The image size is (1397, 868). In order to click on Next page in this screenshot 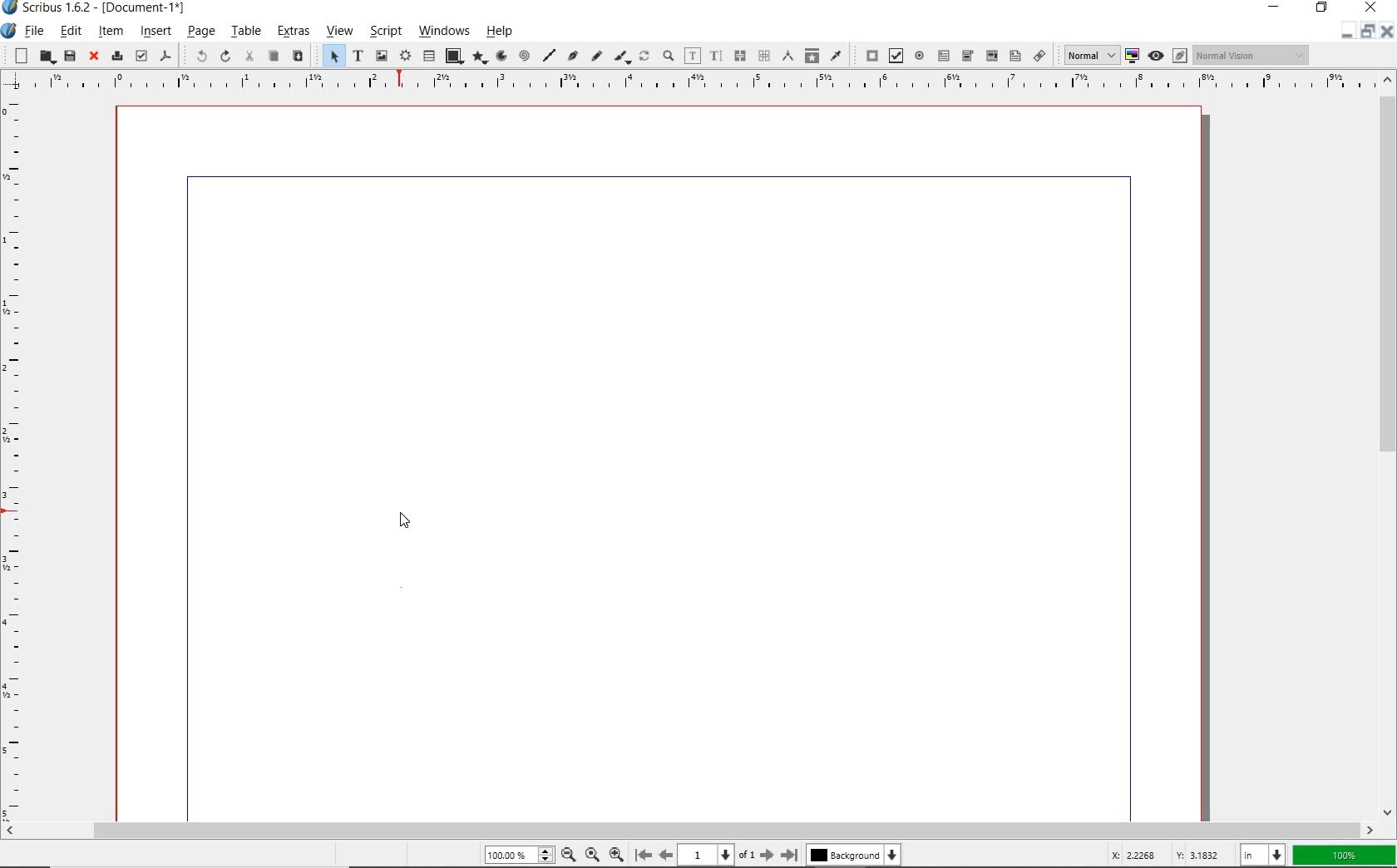, I will do `click(766, 855)`.